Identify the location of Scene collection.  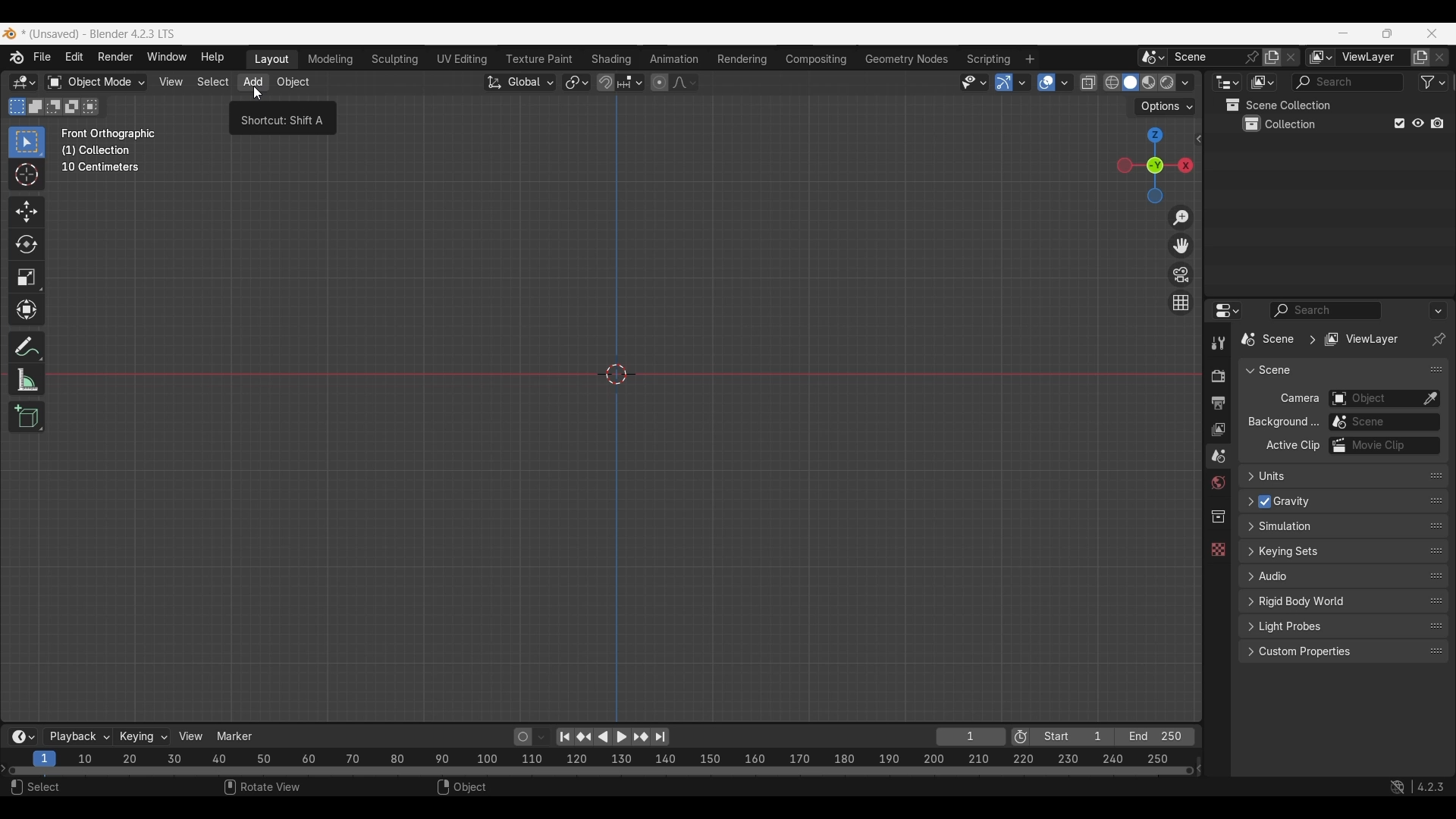
(1278, 105).